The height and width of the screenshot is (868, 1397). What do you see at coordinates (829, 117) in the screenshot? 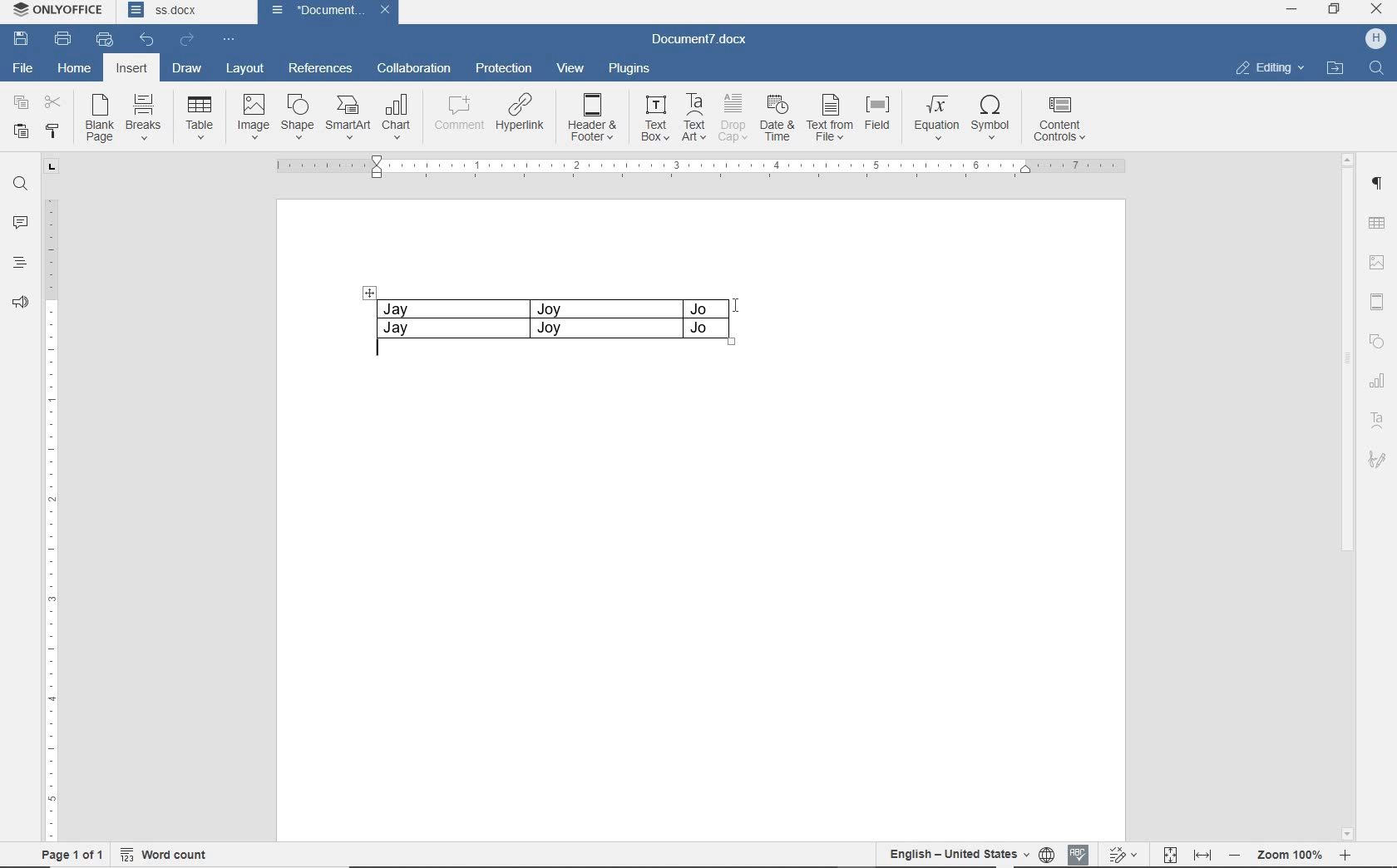
I see `TEXT FROMFILE` at bounding box center [829, 117].